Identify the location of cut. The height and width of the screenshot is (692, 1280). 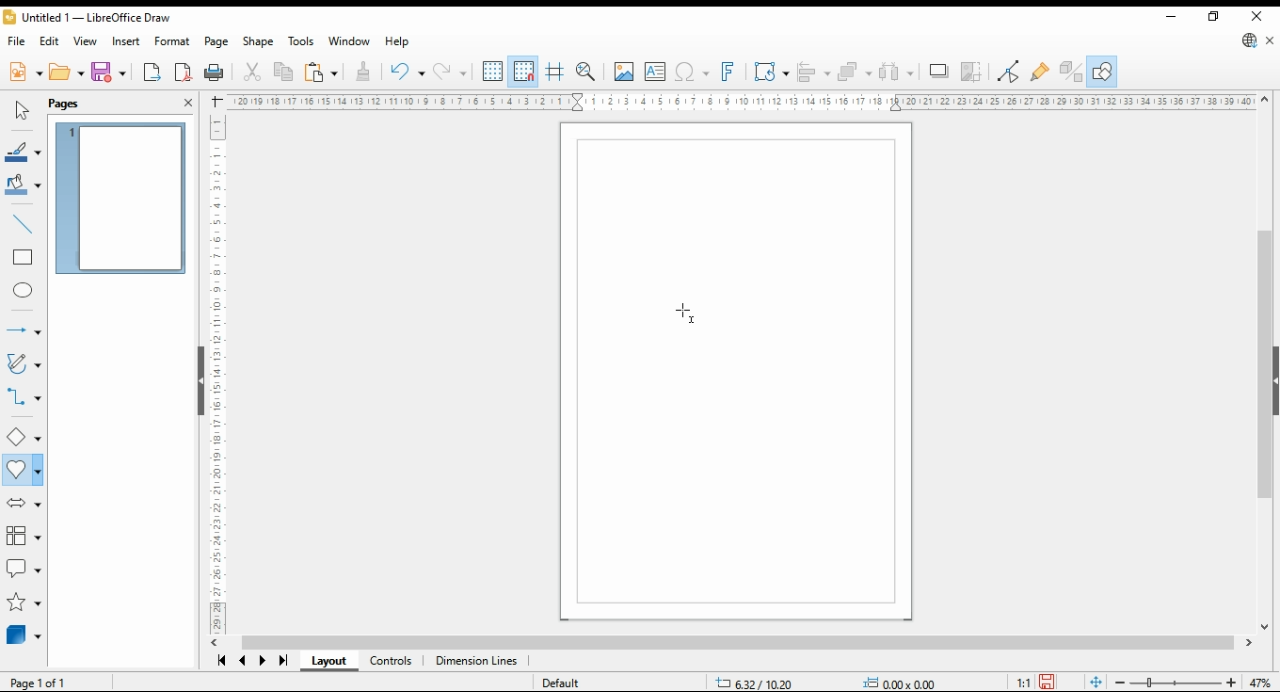
(252, 72).